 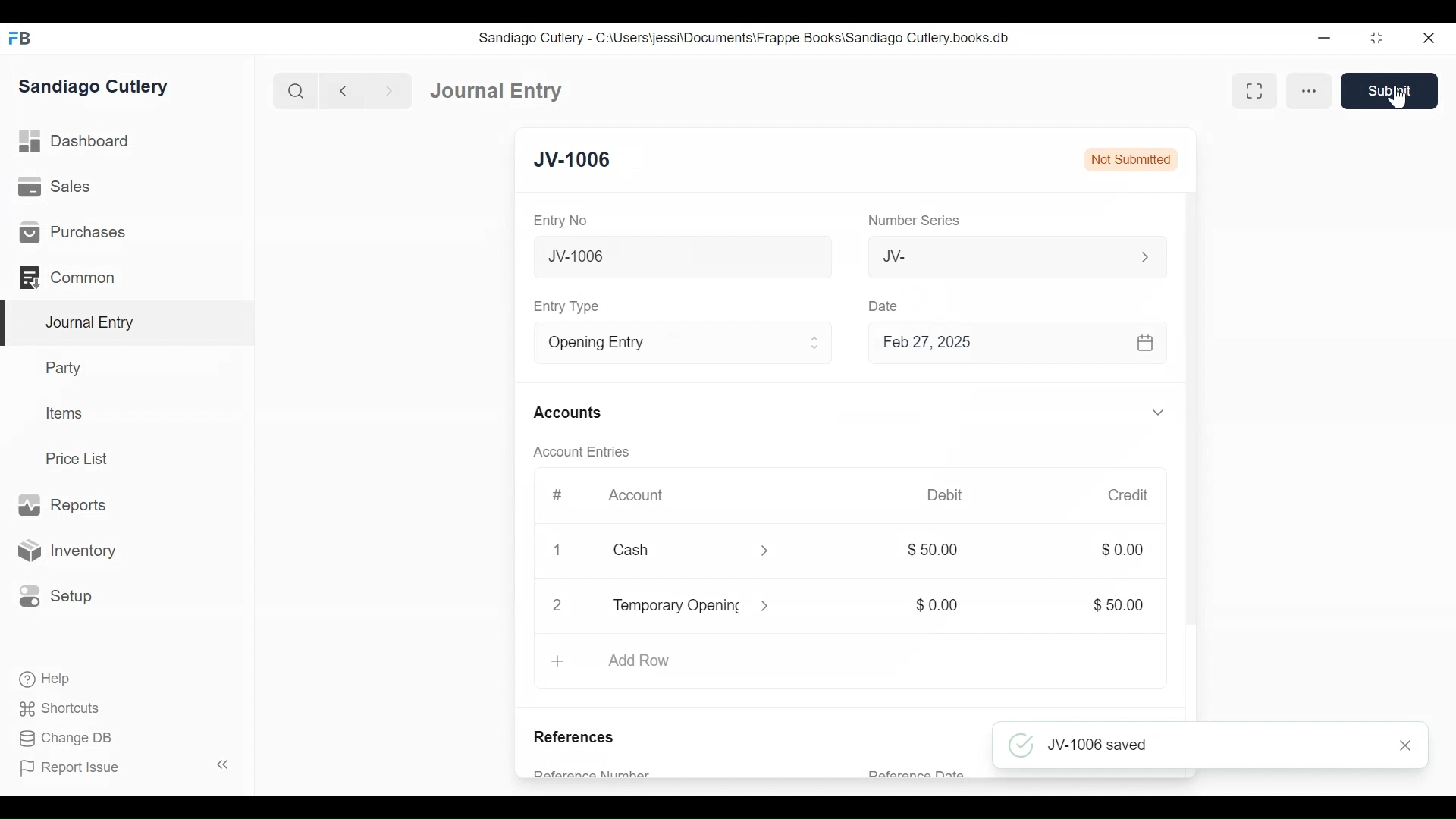 I want to click on Setup, so click(x=56, y=597).